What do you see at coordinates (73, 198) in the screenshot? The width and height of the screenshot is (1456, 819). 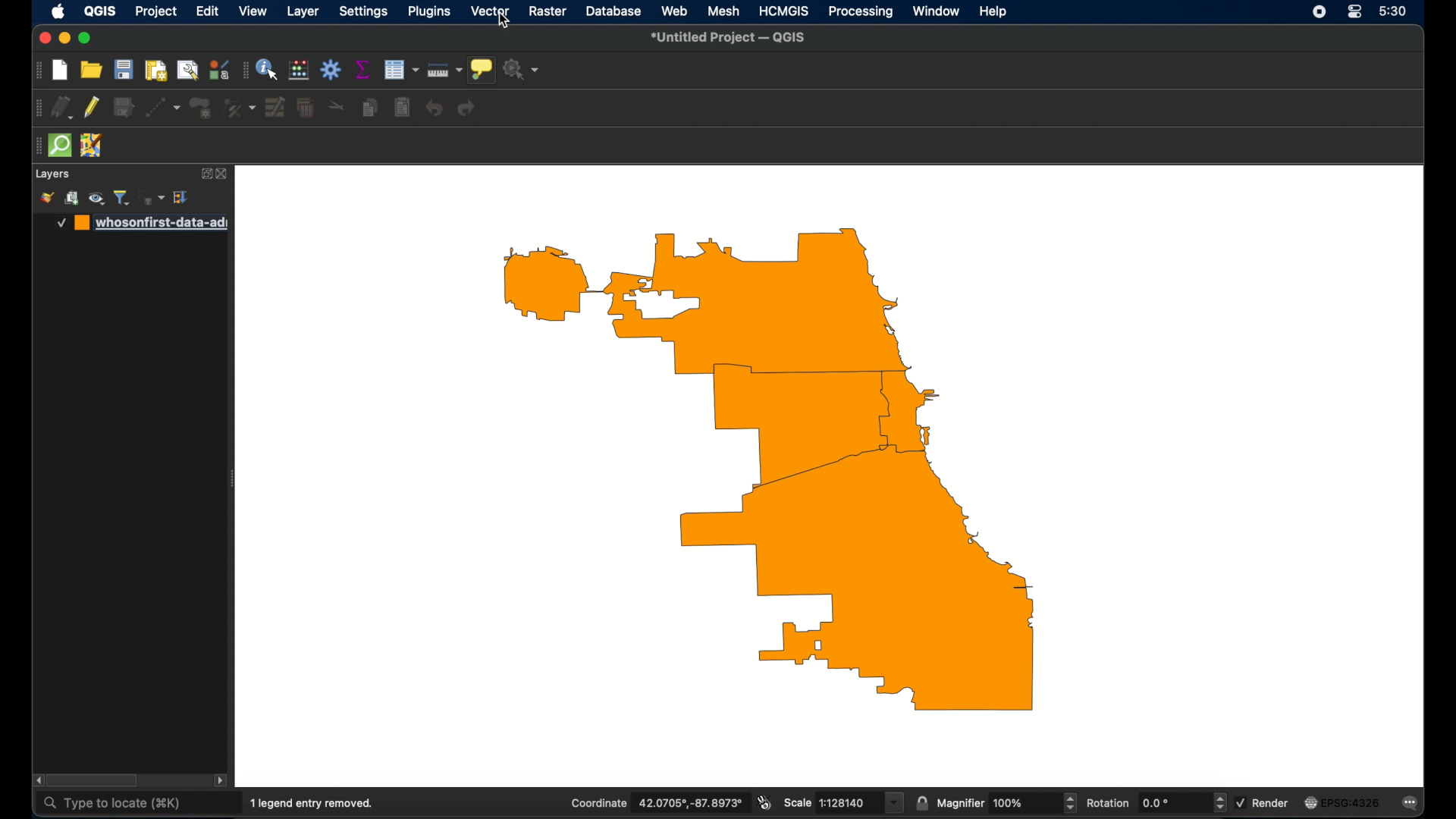 I see `add group` at bounding box center [73, 198].